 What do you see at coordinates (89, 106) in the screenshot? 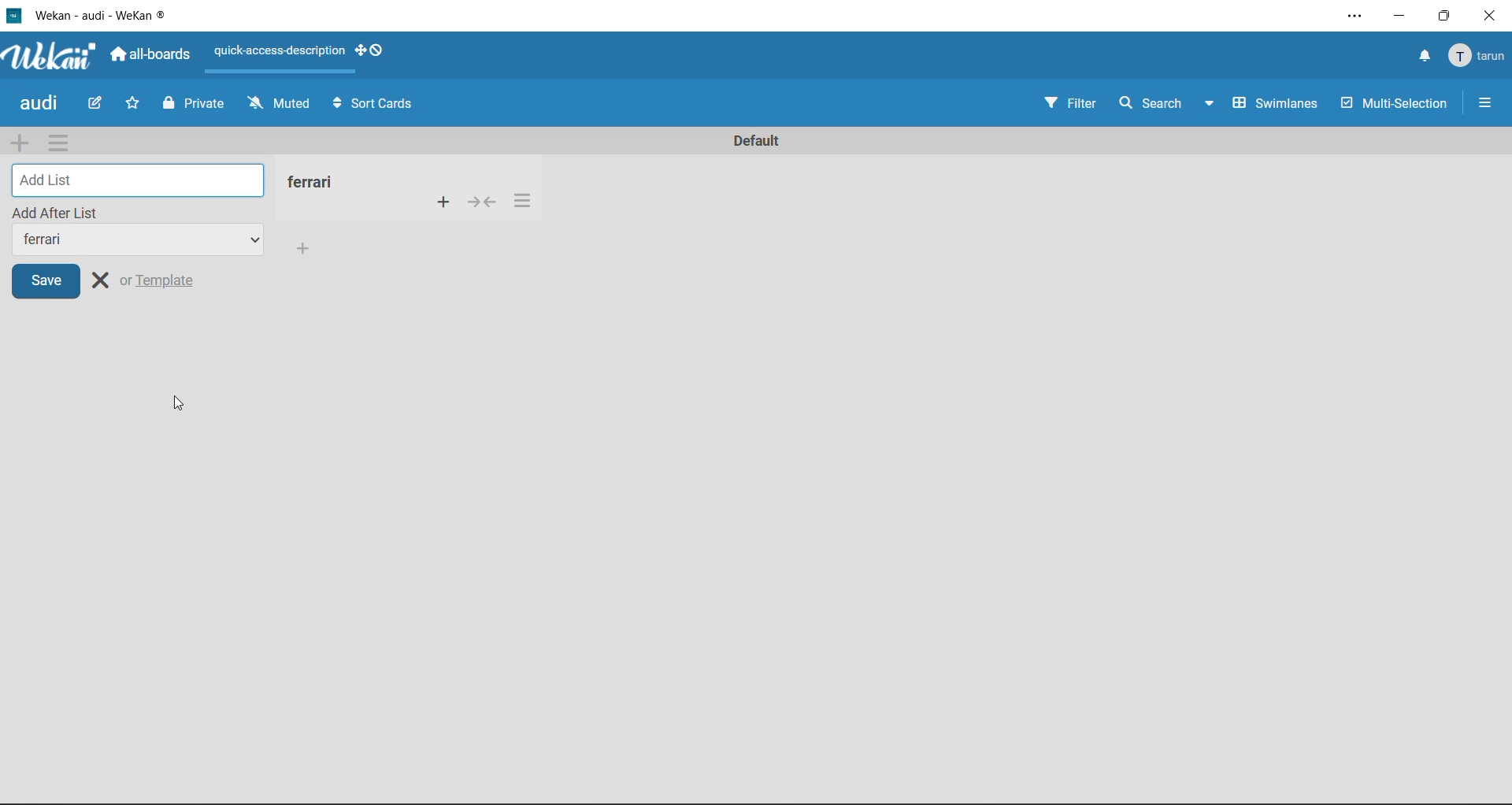
I see `edit` at bounding box center [89, 106].